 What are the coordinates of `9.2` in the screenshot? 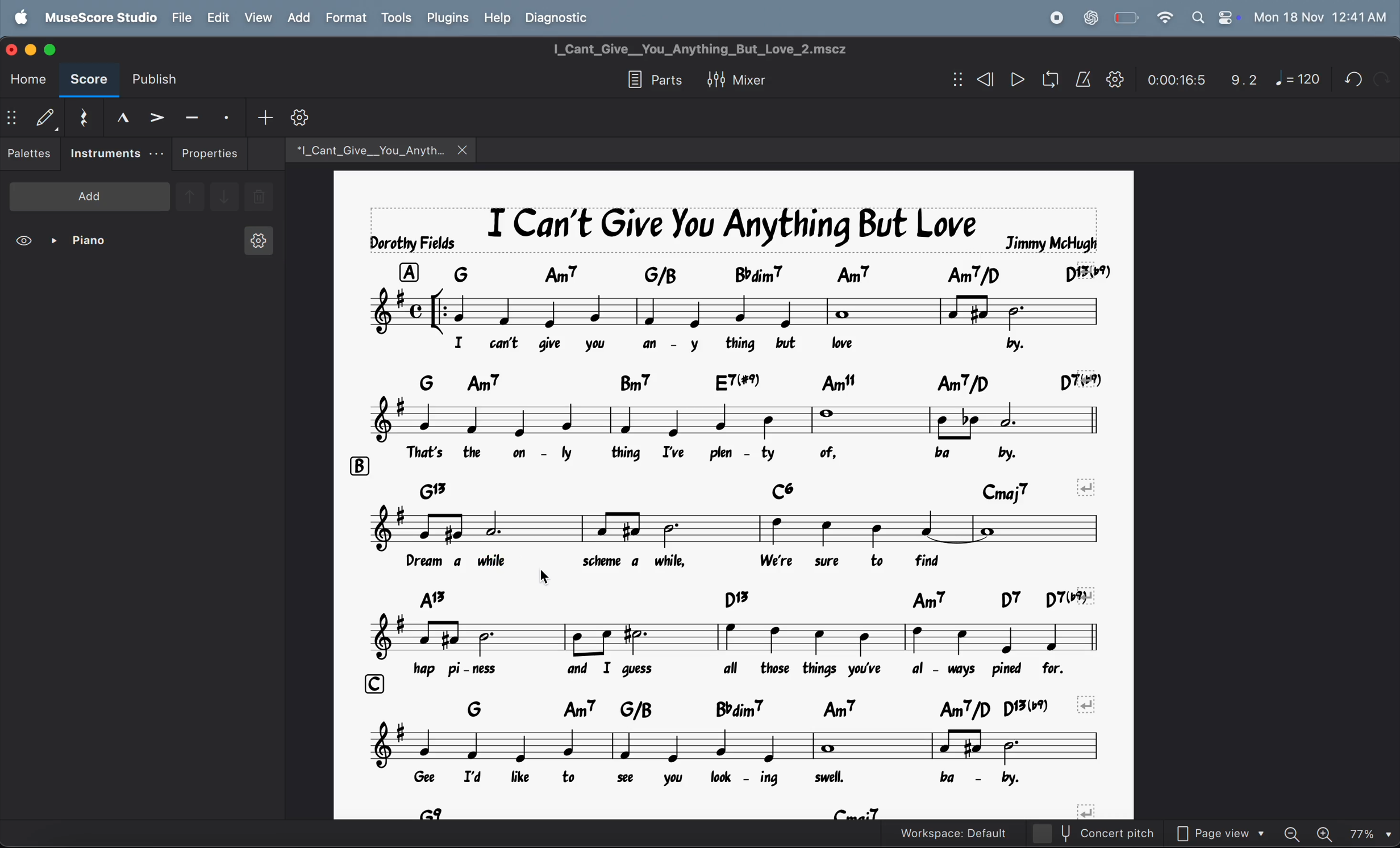 It's located at (1239, 80).